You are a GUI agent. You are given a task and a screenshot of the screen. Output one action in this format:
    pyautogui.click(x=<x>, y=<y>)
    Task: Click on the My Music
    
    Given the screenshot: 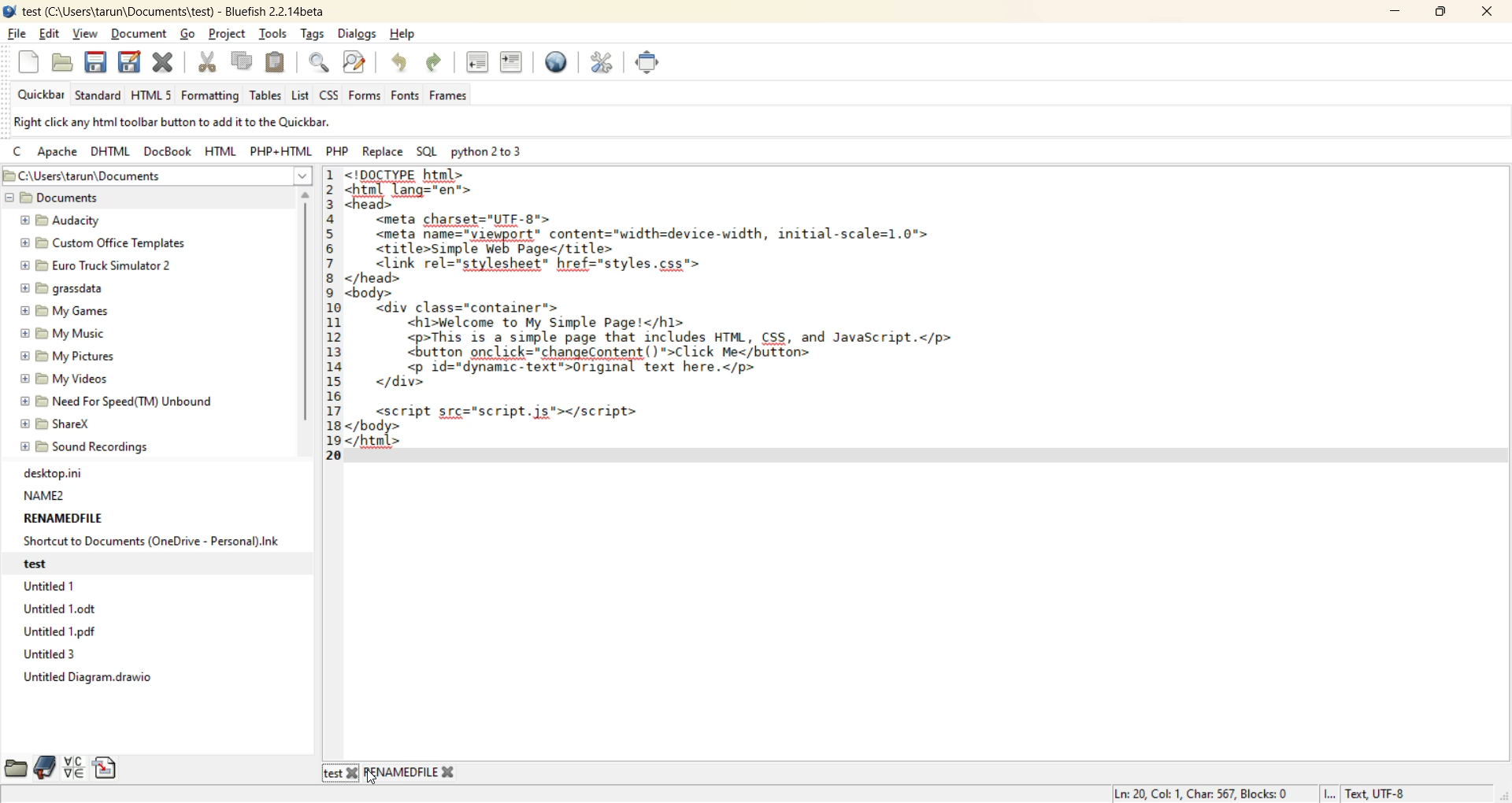 What is the action you would take?
    pyautogui.click(x=69, y=331)
    